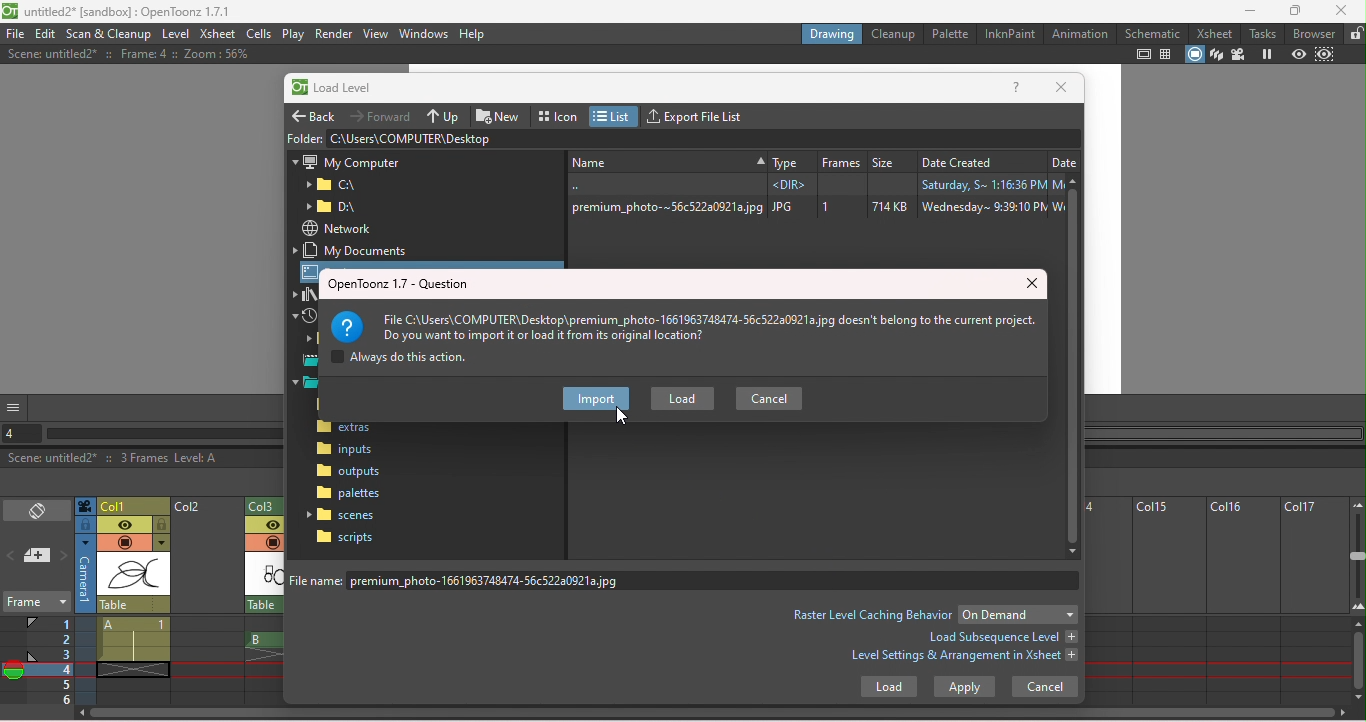 Image resolution: width=1366 pixels, height=722 pixels. What do you see at coordinates (164, 434) in the screenshot?
I see `Horizontal scroll bar` at bounding box center [164, 434].